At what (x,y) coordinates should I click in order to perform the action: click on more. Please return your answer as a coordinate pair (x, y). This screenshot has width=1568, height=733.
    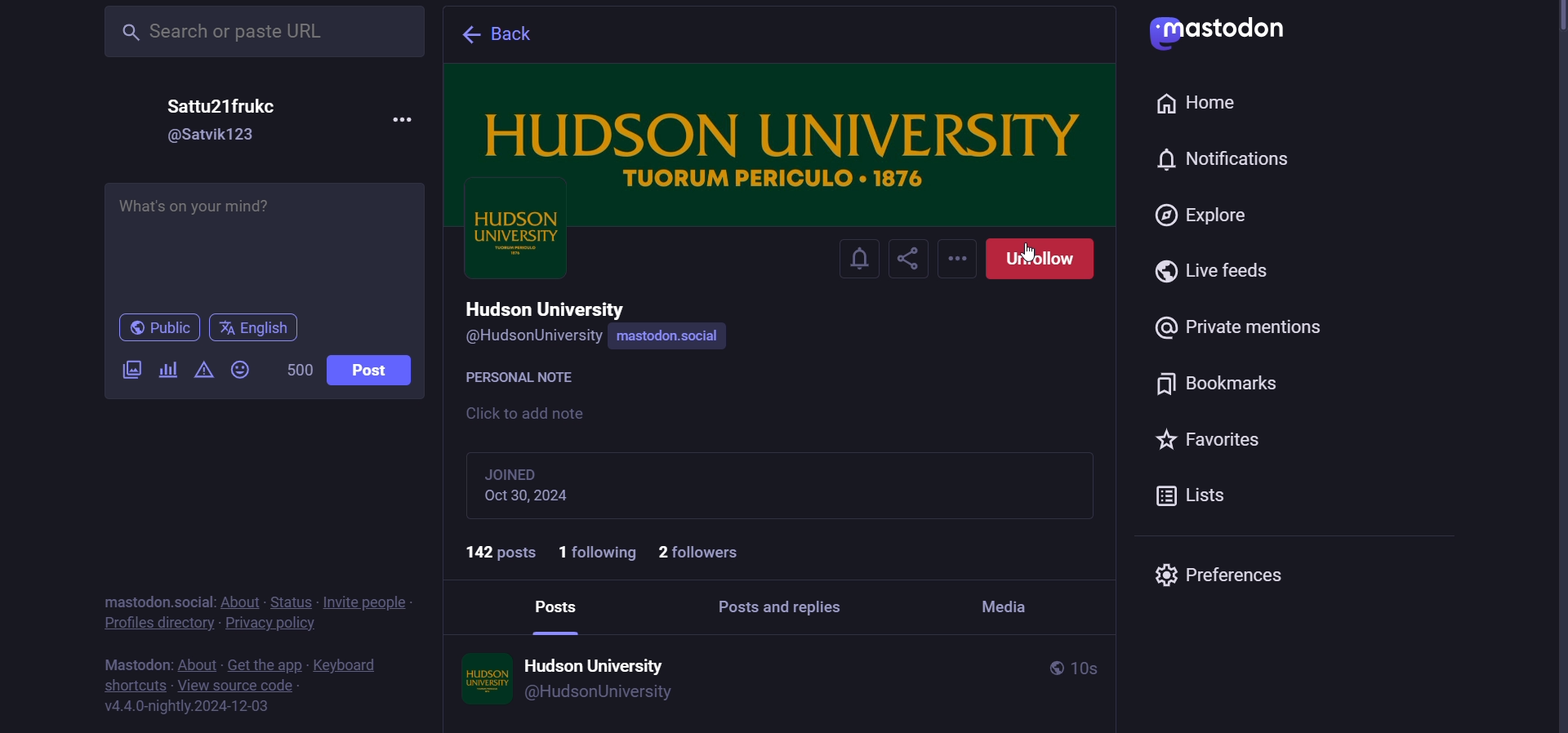
    Looking at the image, I should click on (405, 119).